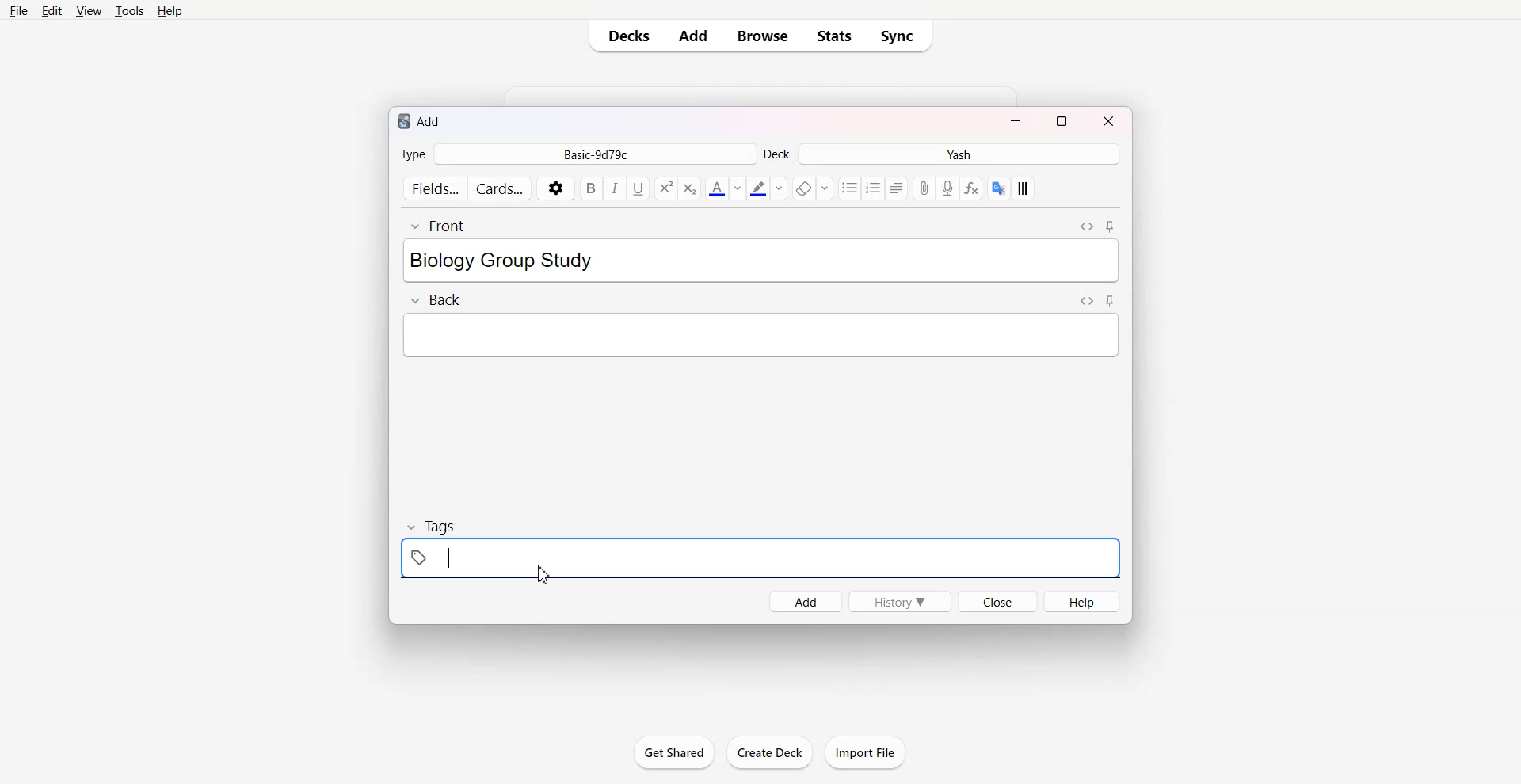 This screenshot has width=1521, height=784. Describe the element at coordinates (760, 36) in the screenshot. I see `Browse` at that location.